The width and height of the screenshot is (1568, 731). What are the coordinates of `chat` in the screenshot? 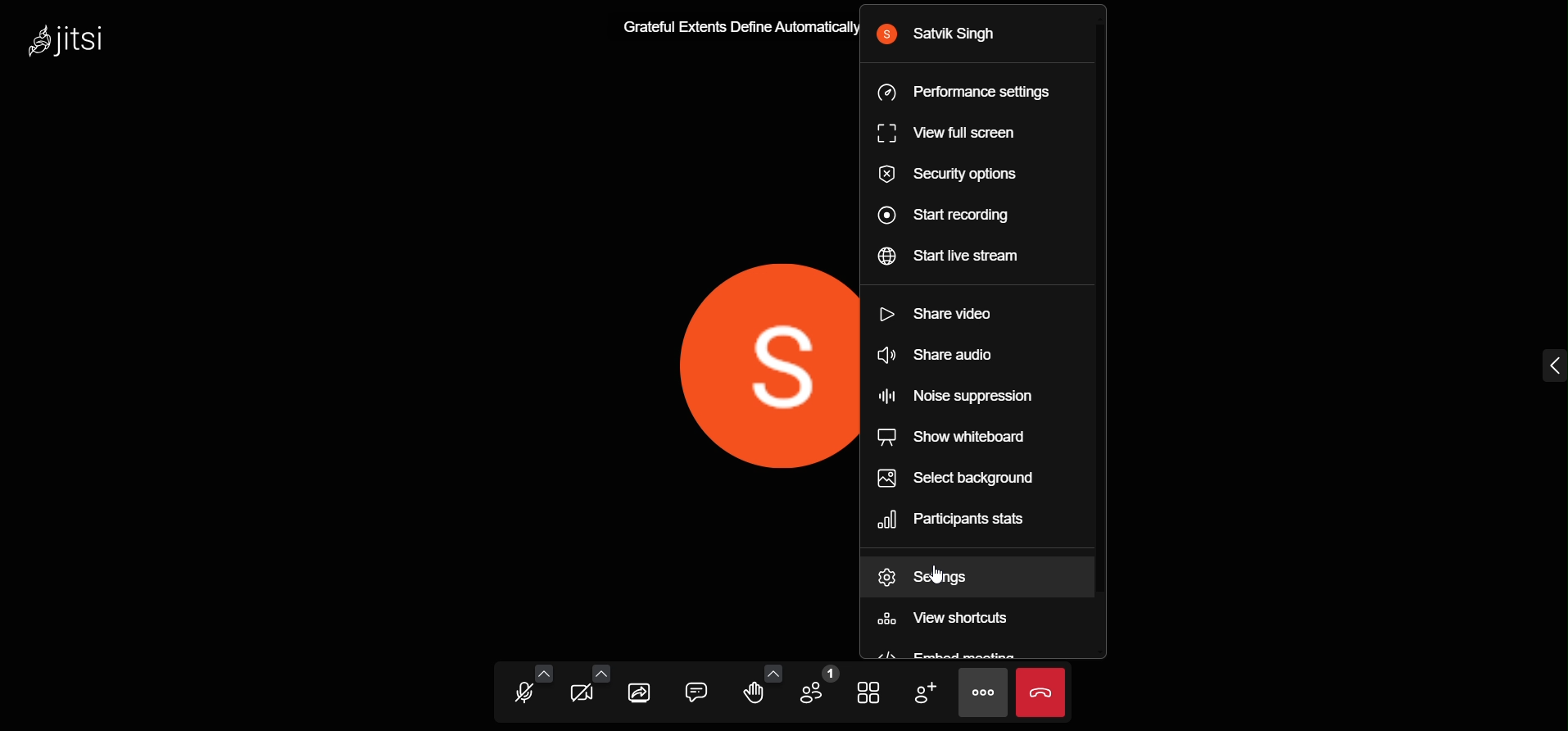 It's located at (693, 689).